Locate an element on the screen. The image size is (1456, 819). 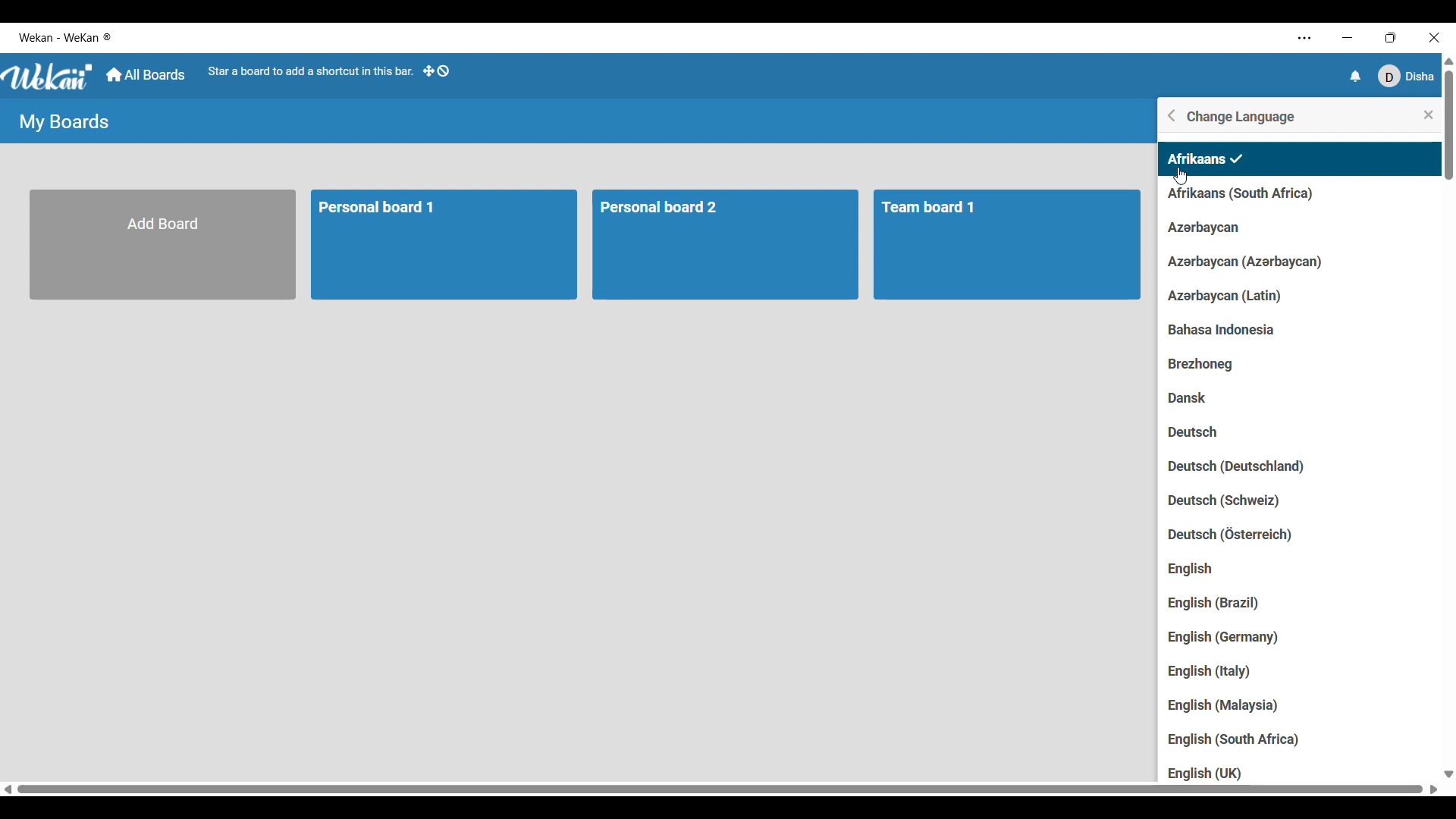
English (South Africa) is located at coordinates (1237, 739).